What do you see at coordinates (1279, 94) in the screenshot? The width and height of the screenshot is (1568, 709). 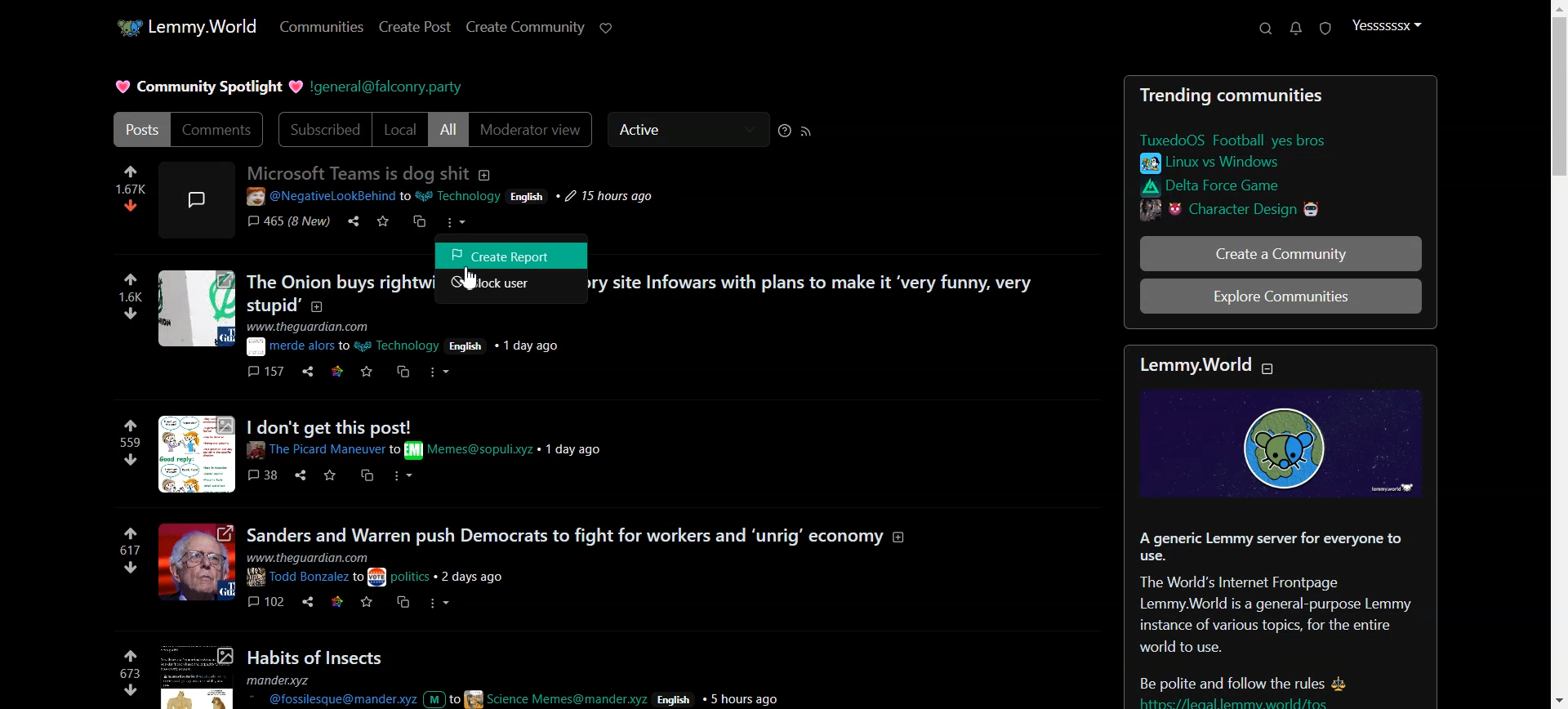 I see `Text` at bounding box center [1279, 94].